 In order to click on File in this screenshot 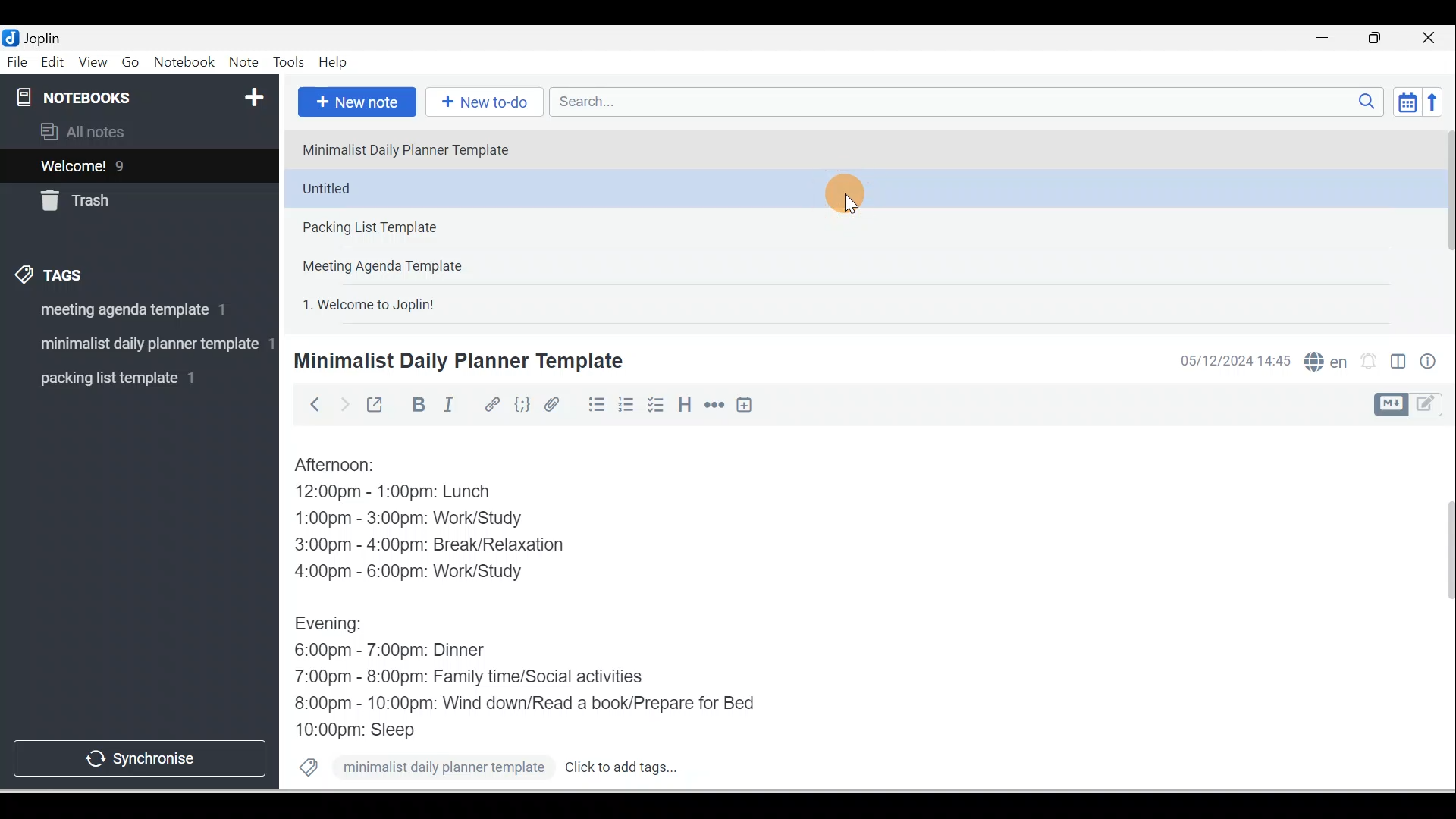, I will do `click(18, 61)`.